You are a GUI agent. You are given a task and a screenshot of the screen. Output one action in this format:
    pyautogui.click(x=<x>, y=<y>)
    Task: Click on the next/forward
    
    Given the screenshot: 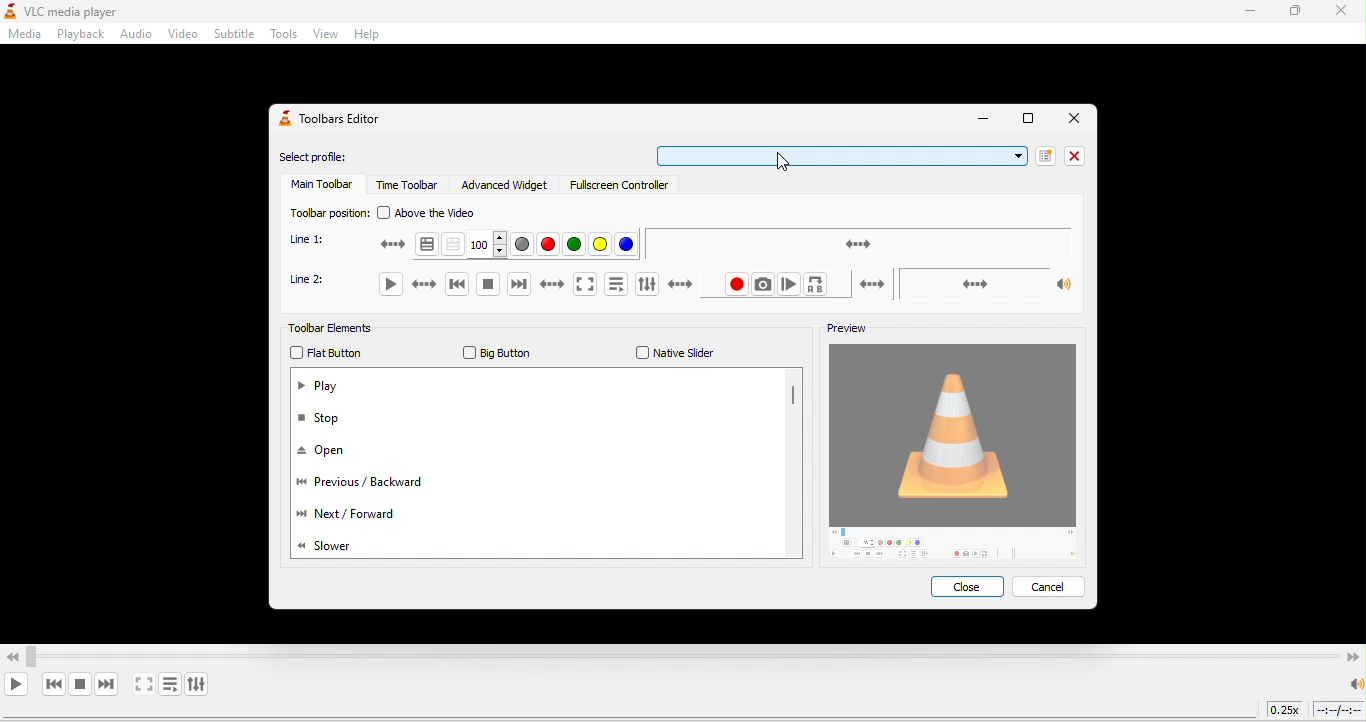 What is the action you would take?
    pyautogui.click(x=346, y=517)
    